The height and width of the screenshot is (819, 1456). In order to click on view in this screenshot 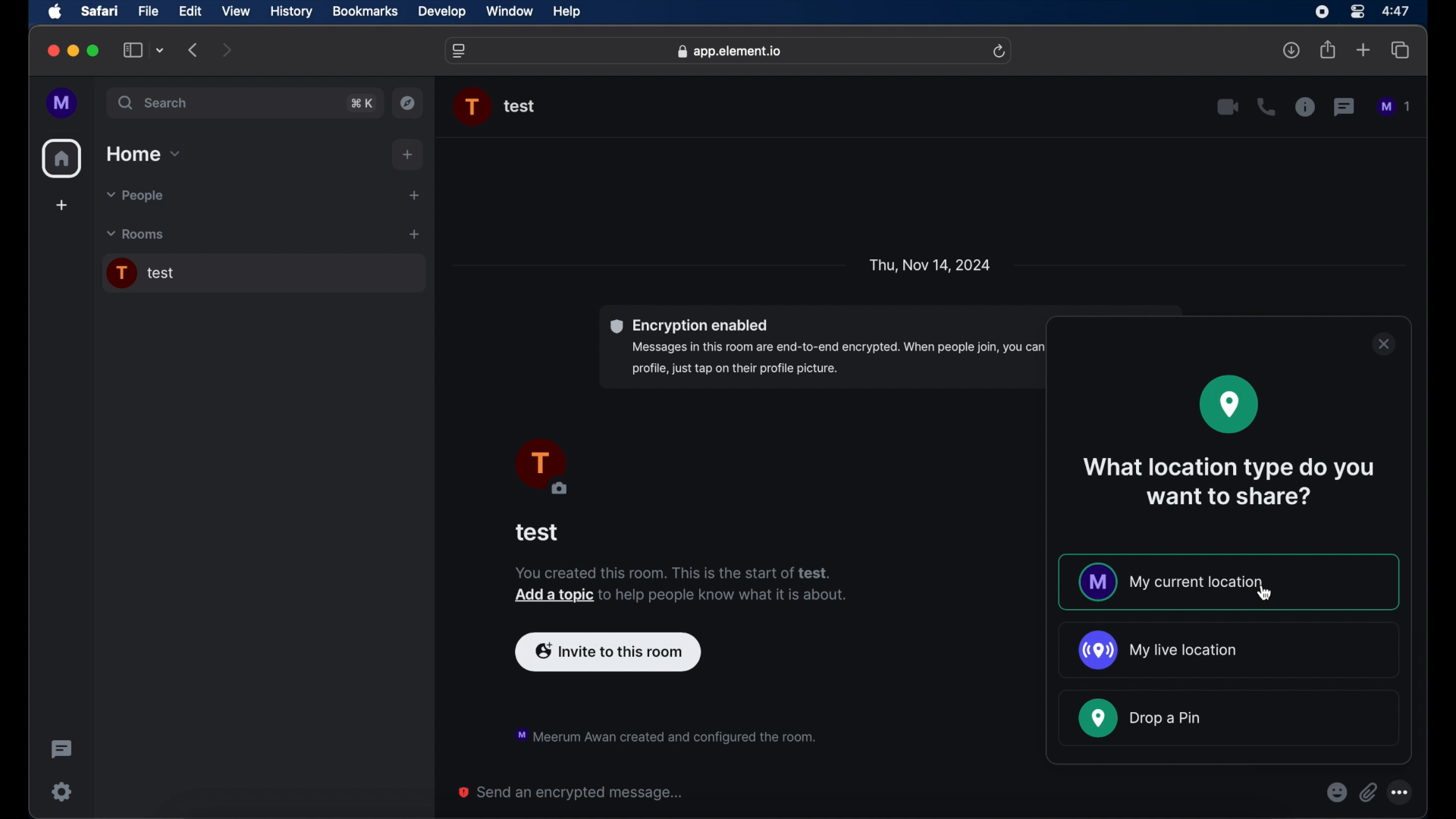, I will do `click(237, 11)`.